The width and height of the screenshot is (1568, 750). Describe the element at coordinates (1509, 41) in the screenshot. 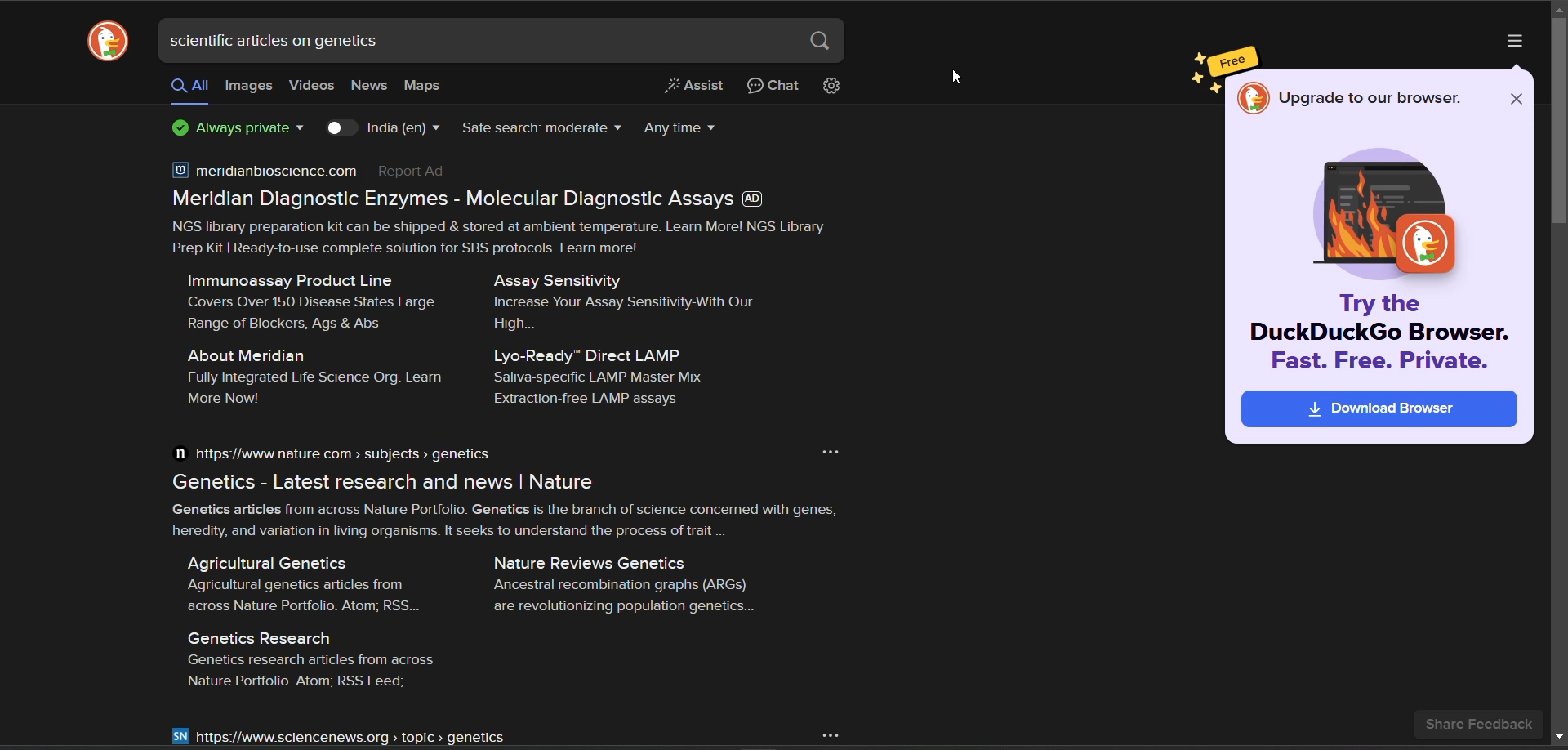

I see `more options` at that location.